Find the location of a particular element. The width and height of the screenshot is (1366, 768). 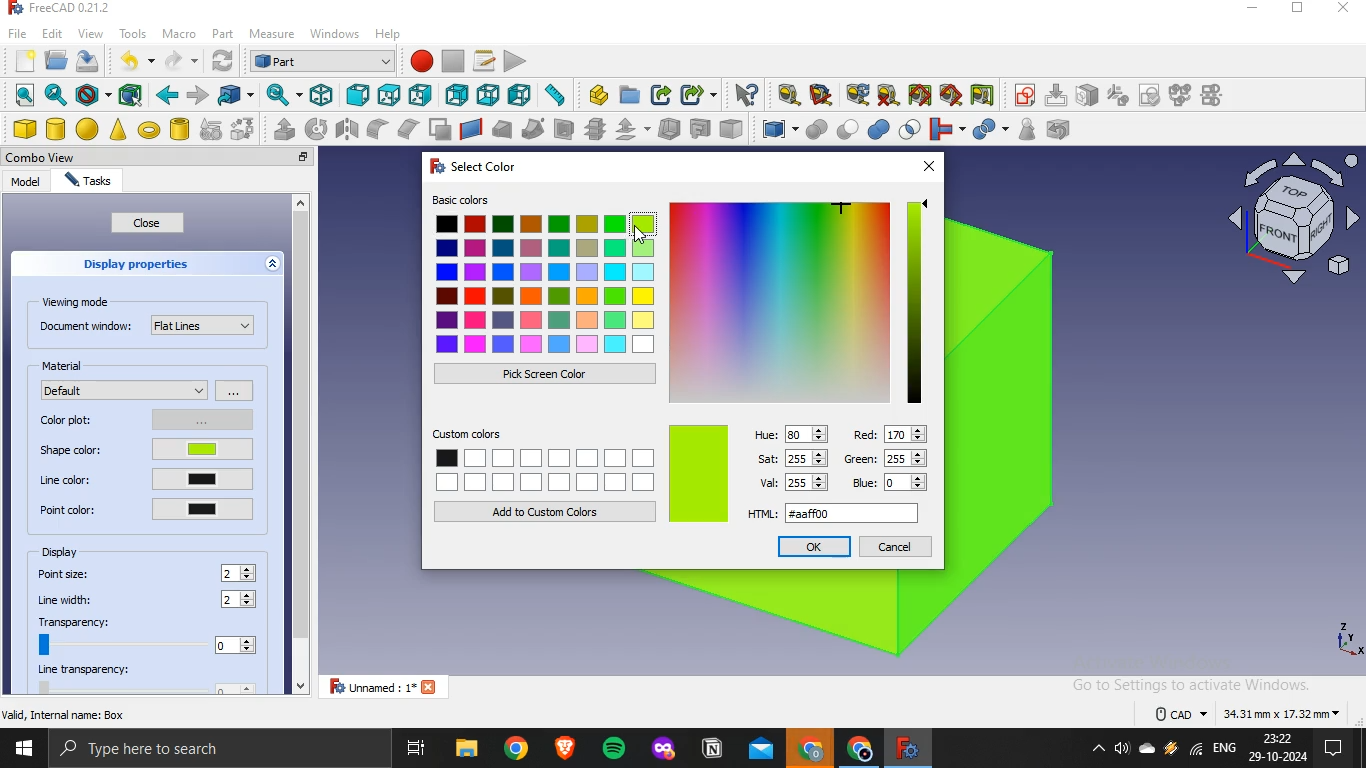

extrude is located at coordinates (284, 129).